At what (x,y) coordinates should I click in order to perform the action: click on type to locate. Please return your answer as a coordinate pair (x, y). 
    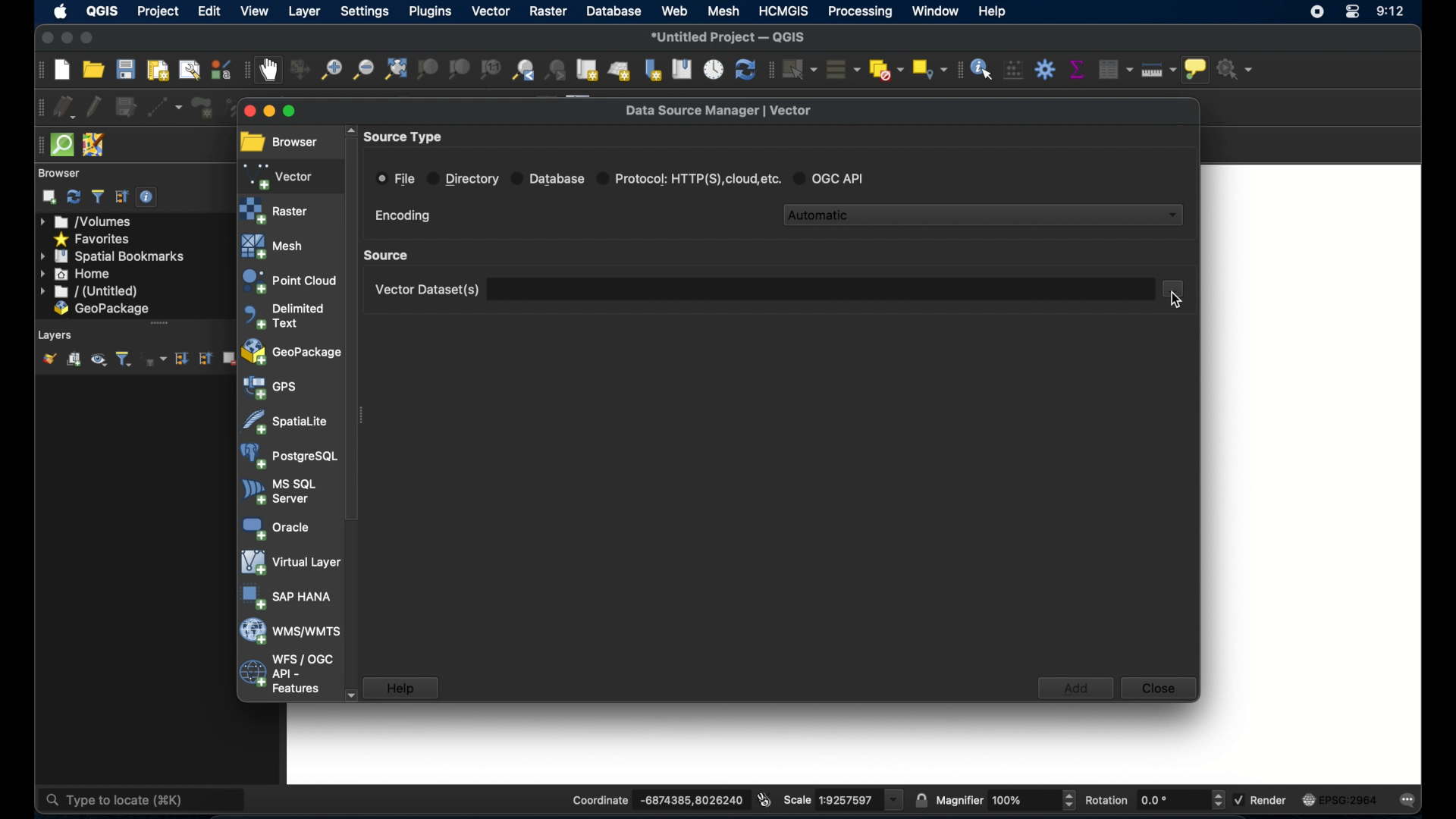
    Looking at the image, I should click on (106, 799).